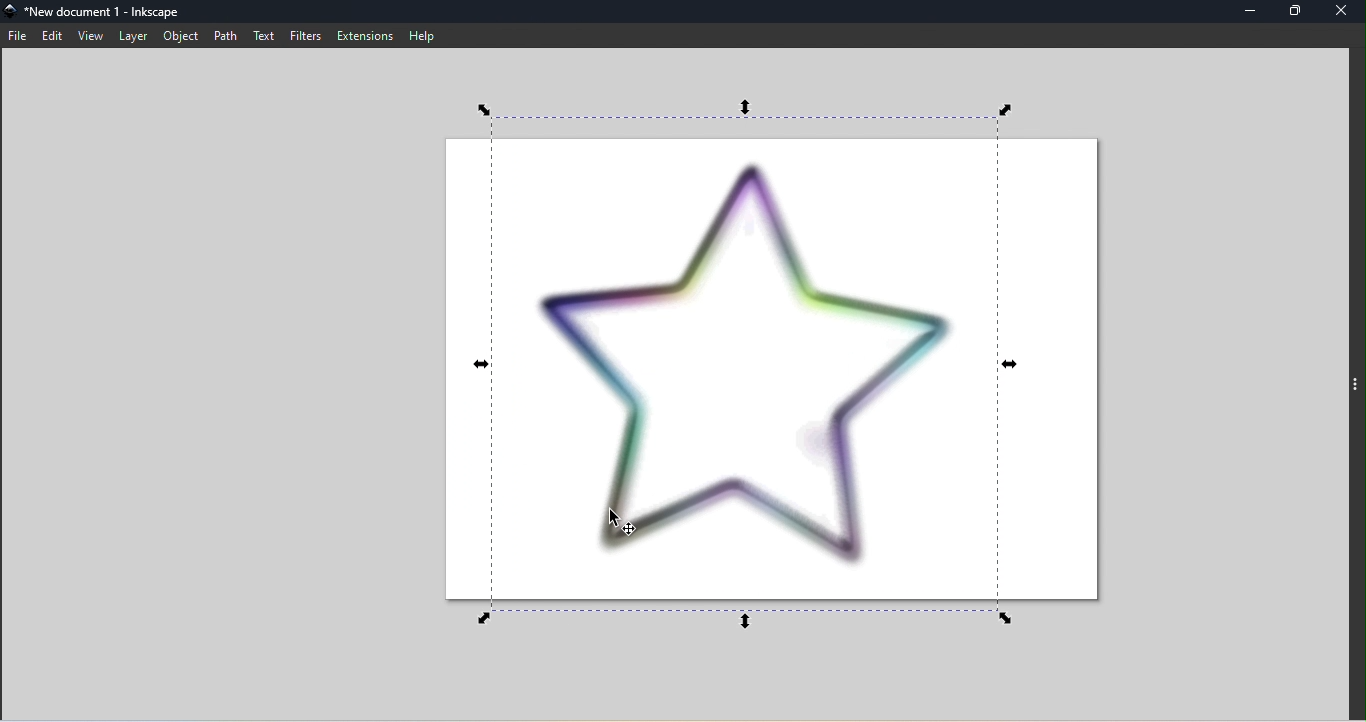 The height and width of the screenshot is (722, 1366). I want to click on Extensions, so click(361, 37).